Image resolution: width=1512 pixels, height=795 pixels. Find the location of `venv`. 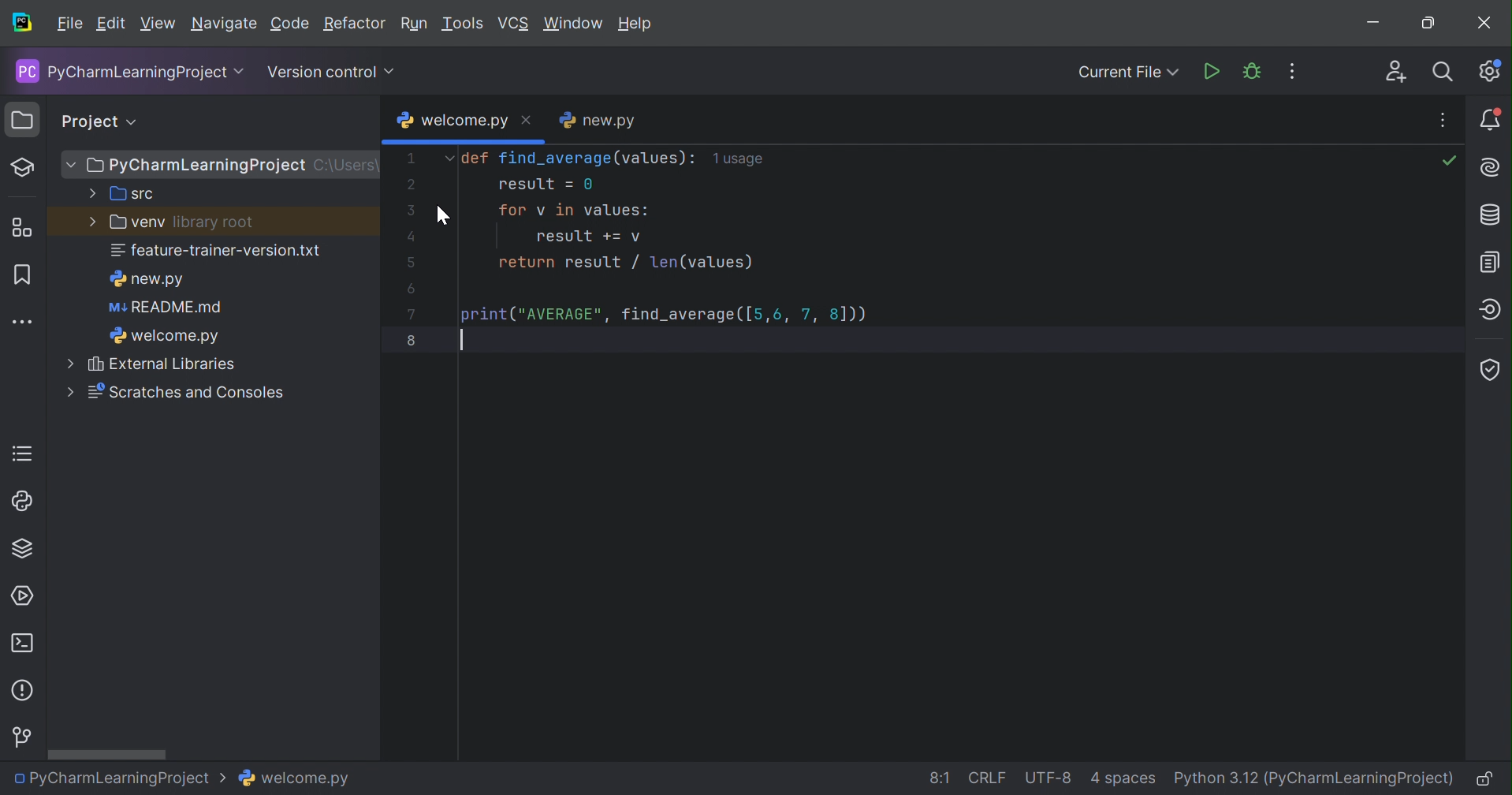

venv is located at coordinates (124, 223).